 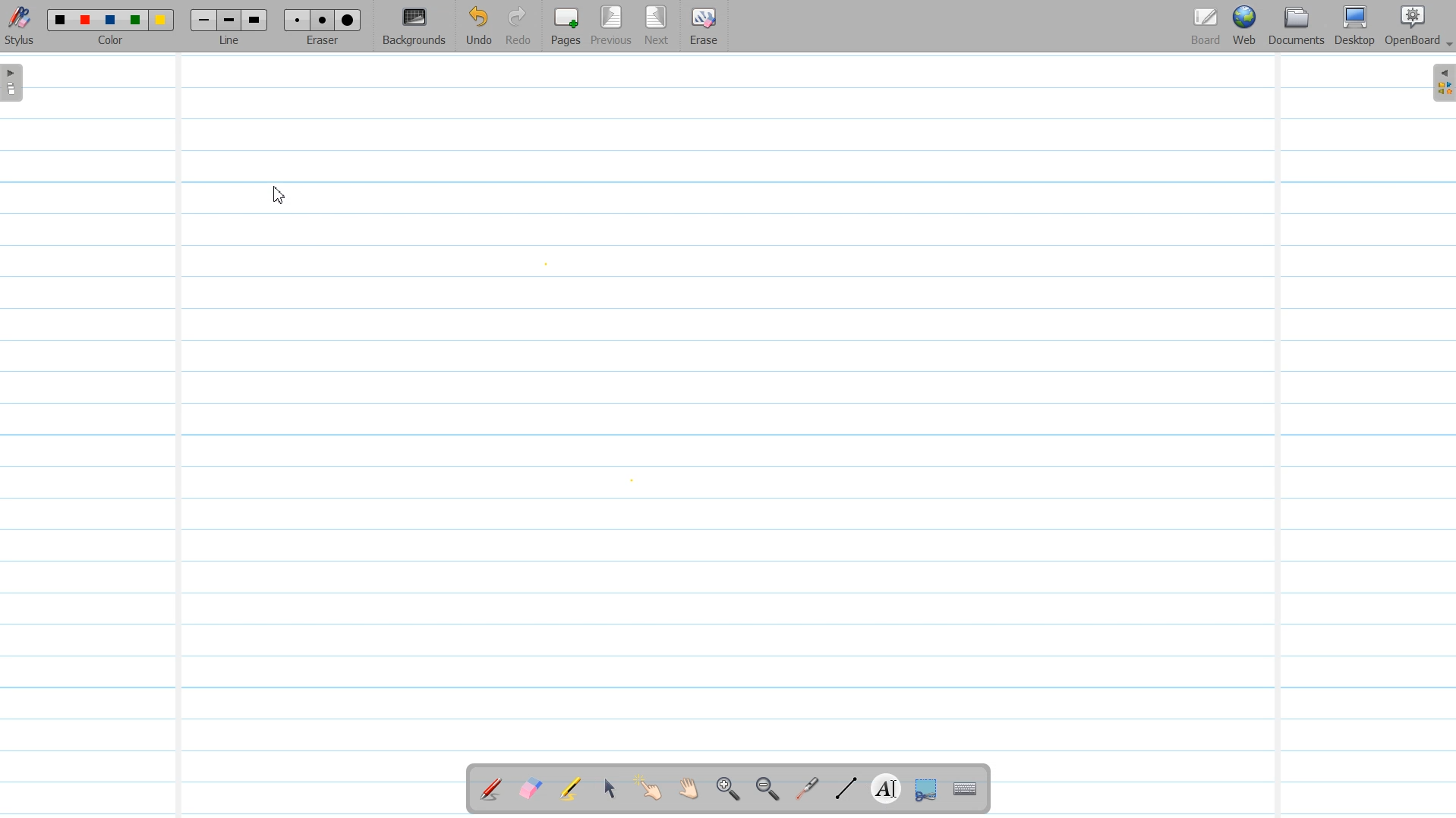 What do you see at coordinates (570, 791) in the screenshot?
I see `Highlight` at bounding box center [570, 791].